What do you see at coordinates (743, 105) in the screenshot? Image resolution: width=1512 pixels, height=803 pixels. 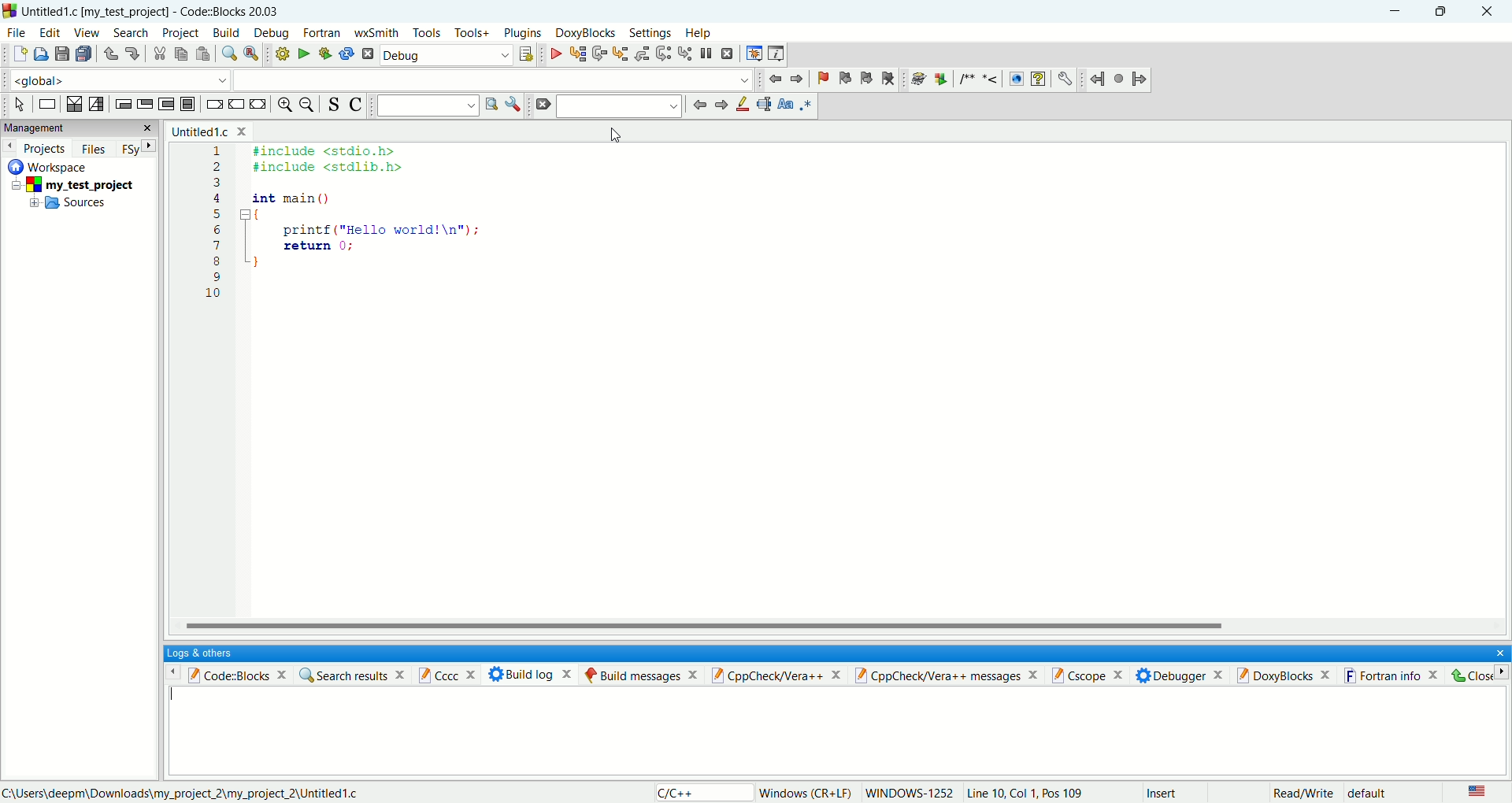 I see `highlight` at bounding box center [743, 105].